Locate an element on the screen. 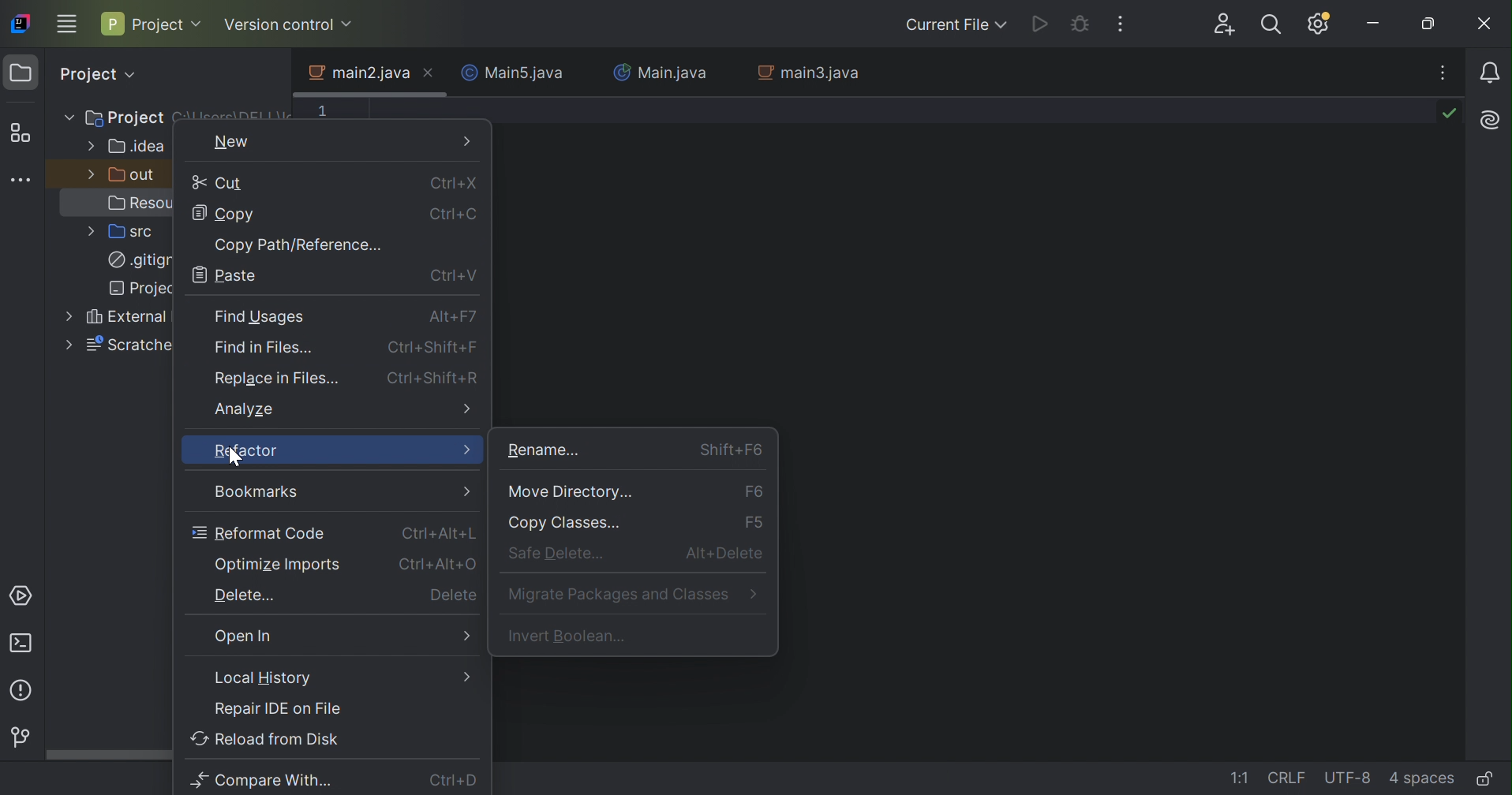 Image resolution: width=1512 pixels, height=795 pixels. New is located at coordinates (229, 143).